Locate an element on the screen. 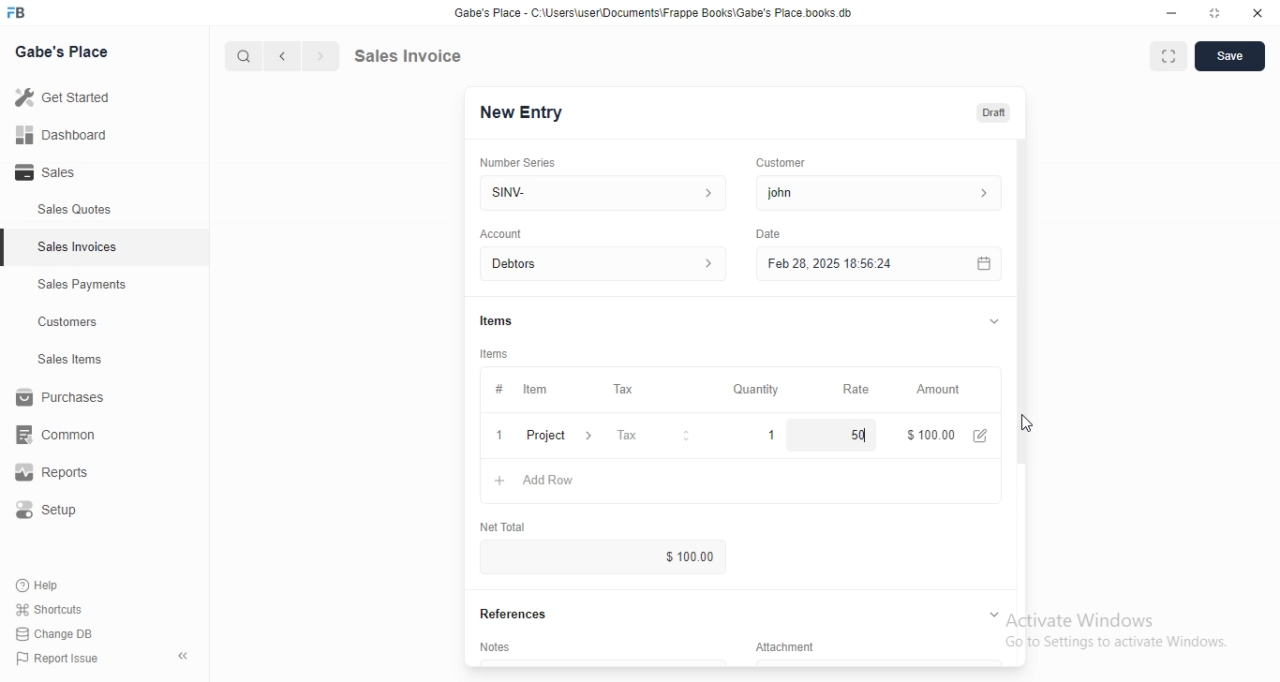 The width and height of the screenshot is (1280, 682). FB logo is located at coordinates (20, 13).